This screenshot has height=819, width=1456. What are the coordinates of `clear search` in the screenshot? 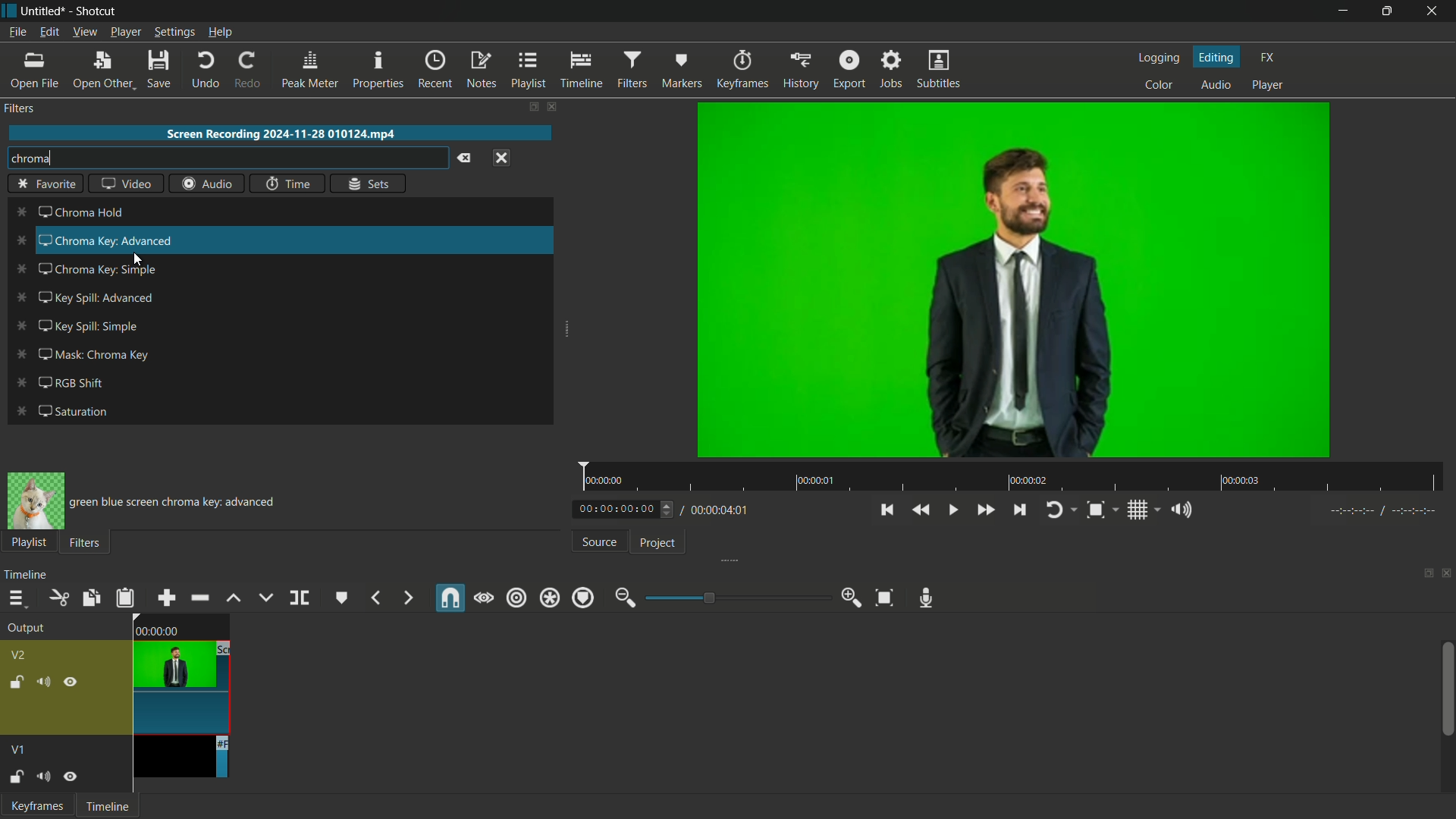 It's located at (463, 158).